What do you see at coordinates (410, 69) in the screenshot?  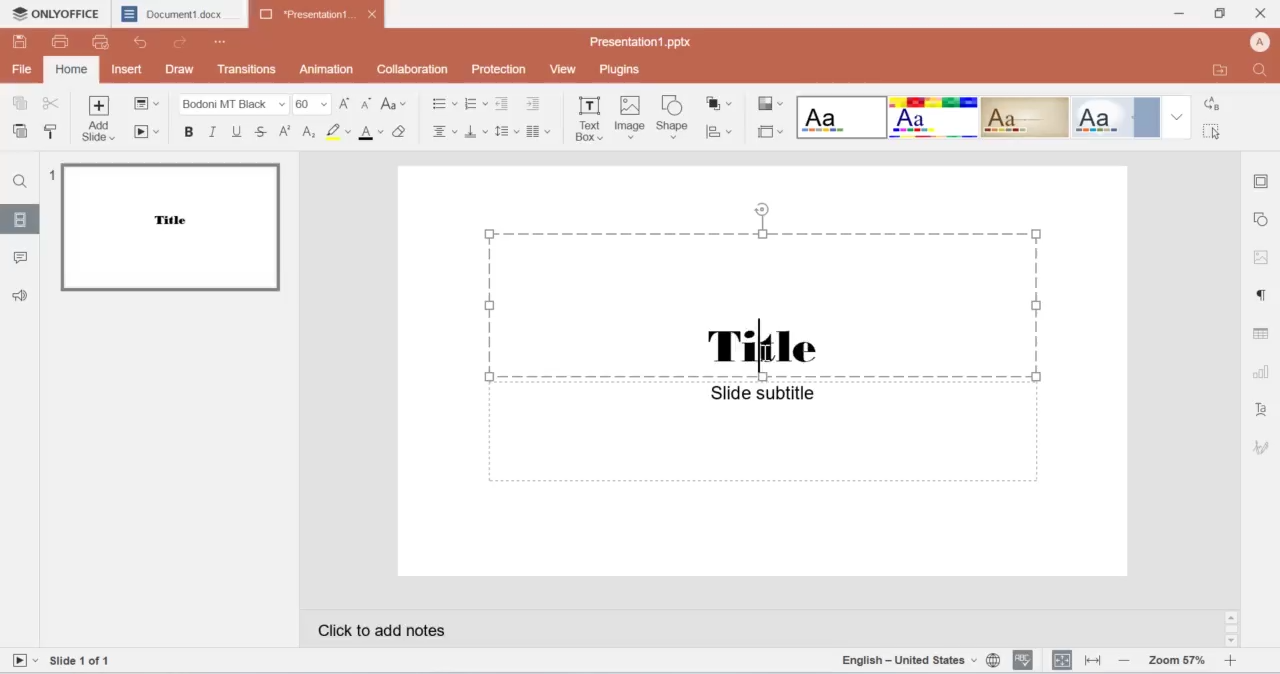 I see `collaboration` at bounding box center [410, 69].